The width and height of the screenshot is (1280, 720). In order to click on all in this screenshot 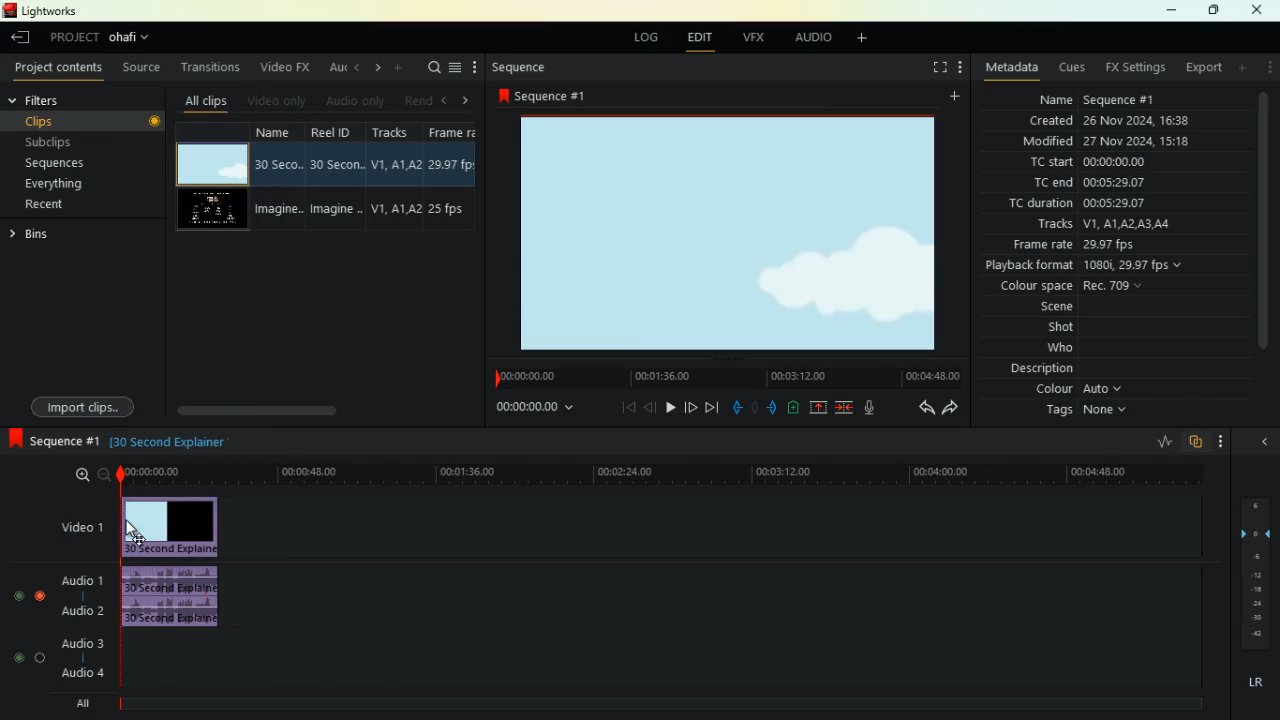, I will do `click(86, 706)`.